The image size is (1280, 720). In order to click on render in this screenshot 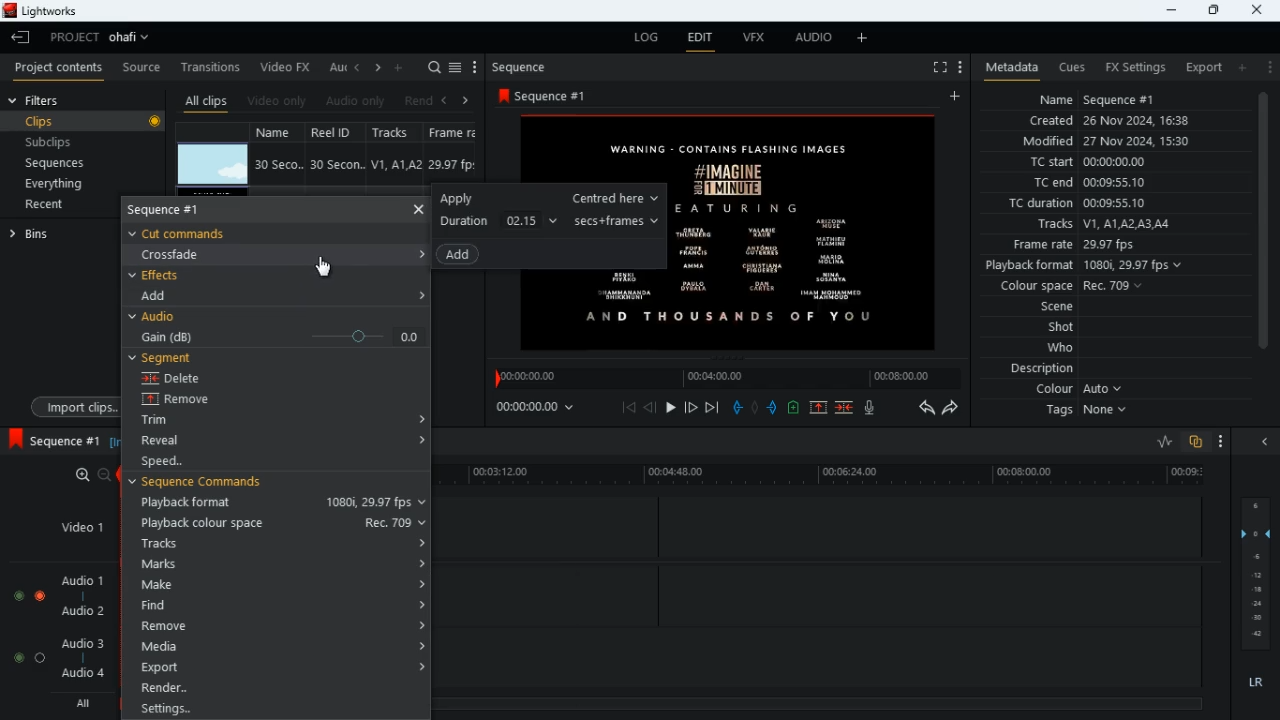, I will do `click(281, 688)`.